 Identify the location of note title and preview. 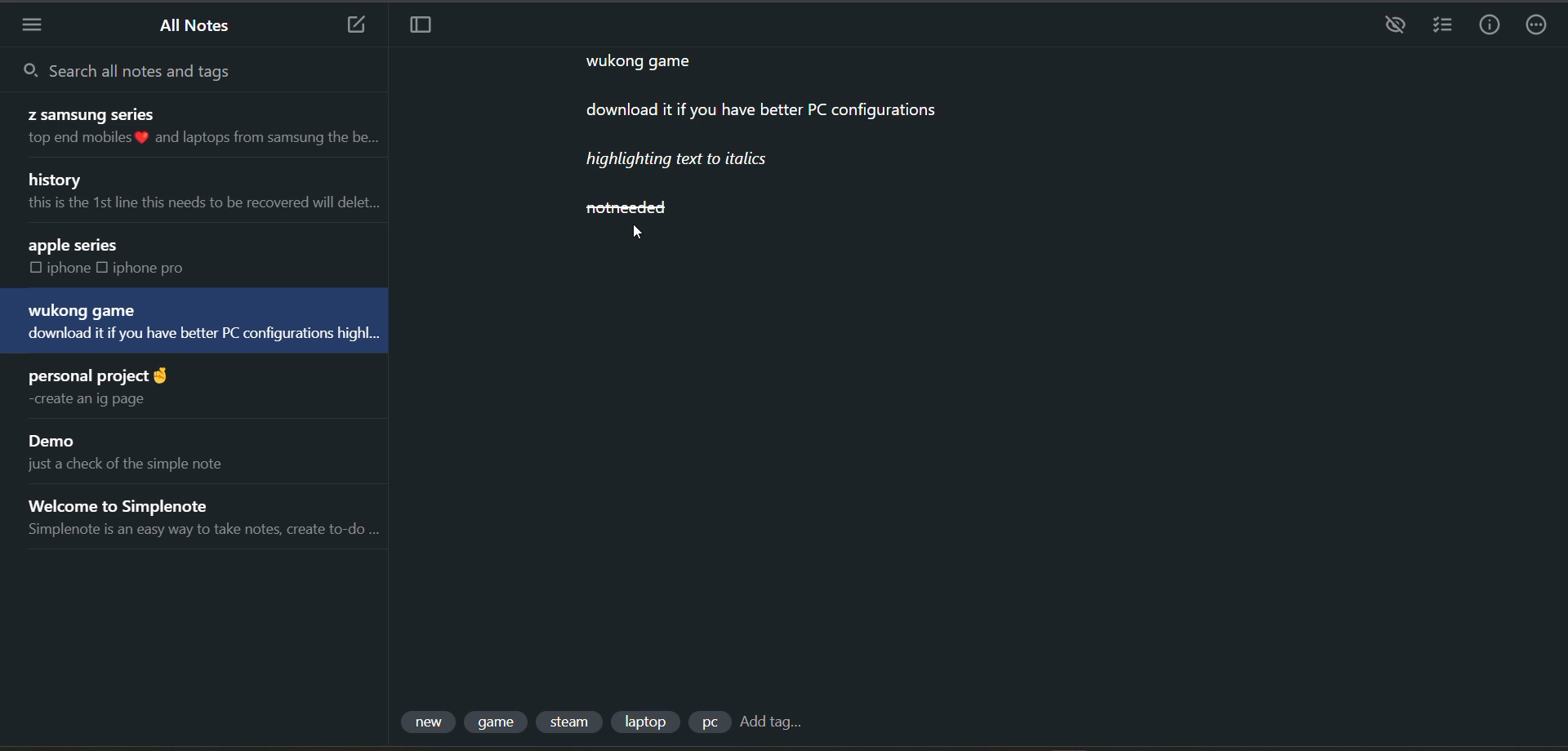
(194, 127).